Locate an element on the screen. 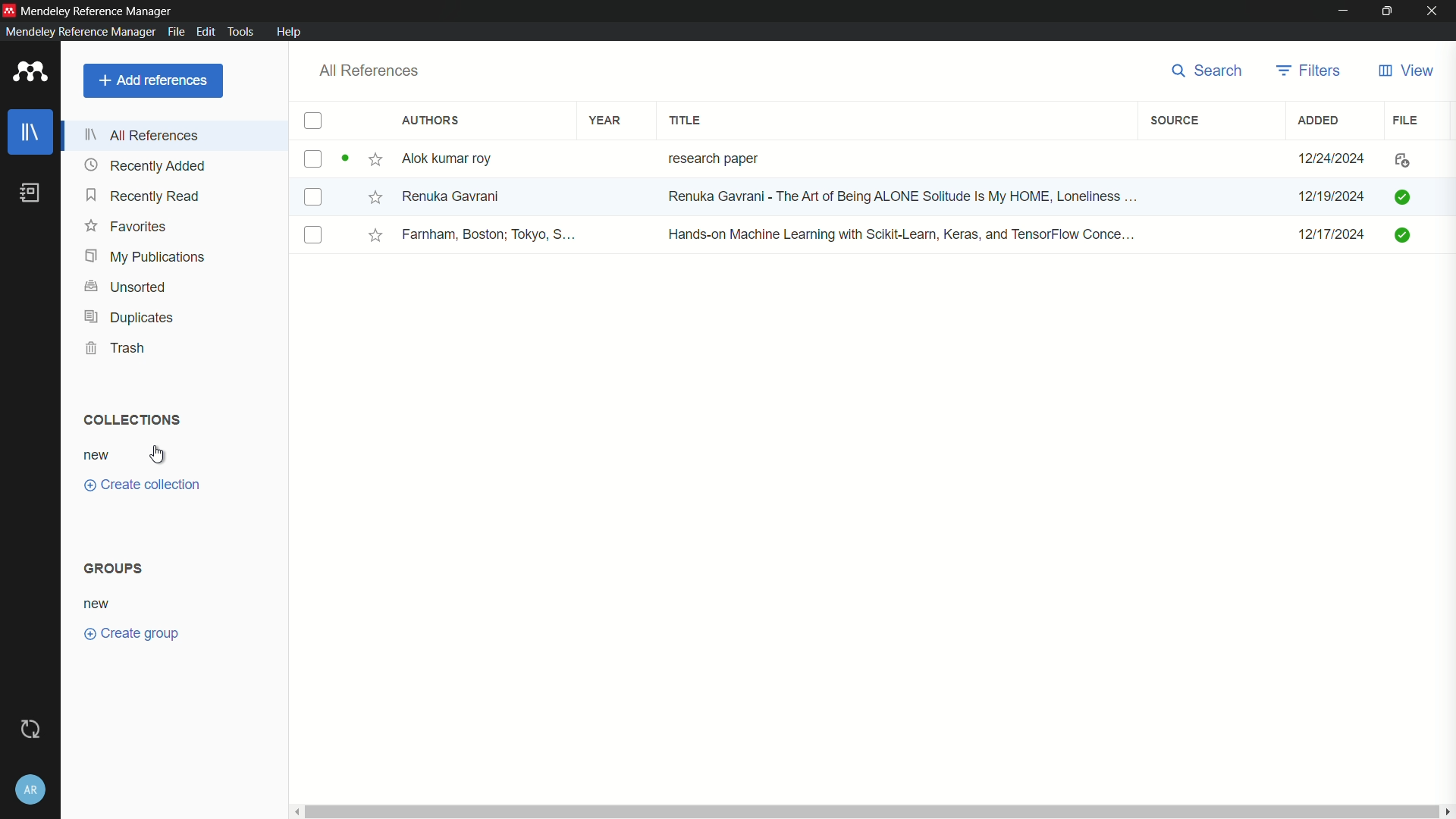 This screenshot has height=819, width=1456. groups is located at coordinates (114, 568).